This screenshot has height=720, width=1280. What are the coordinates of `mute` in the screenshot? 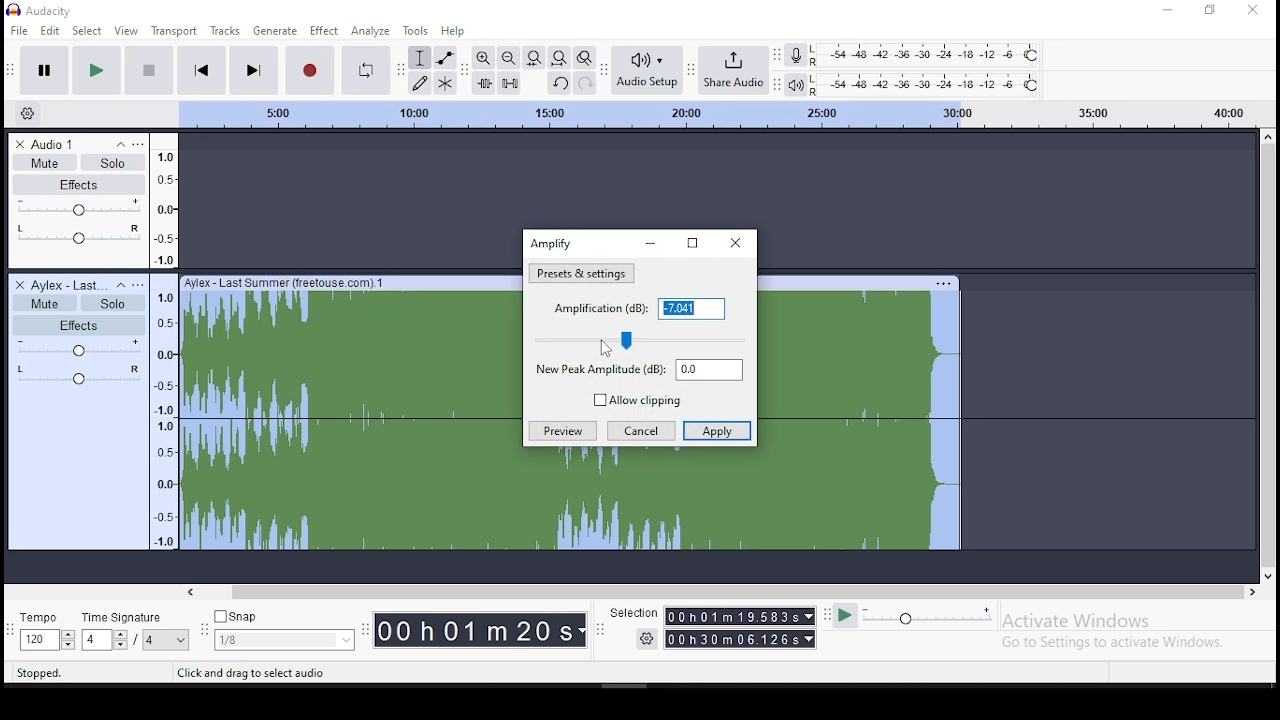 It's located at (43, 162).